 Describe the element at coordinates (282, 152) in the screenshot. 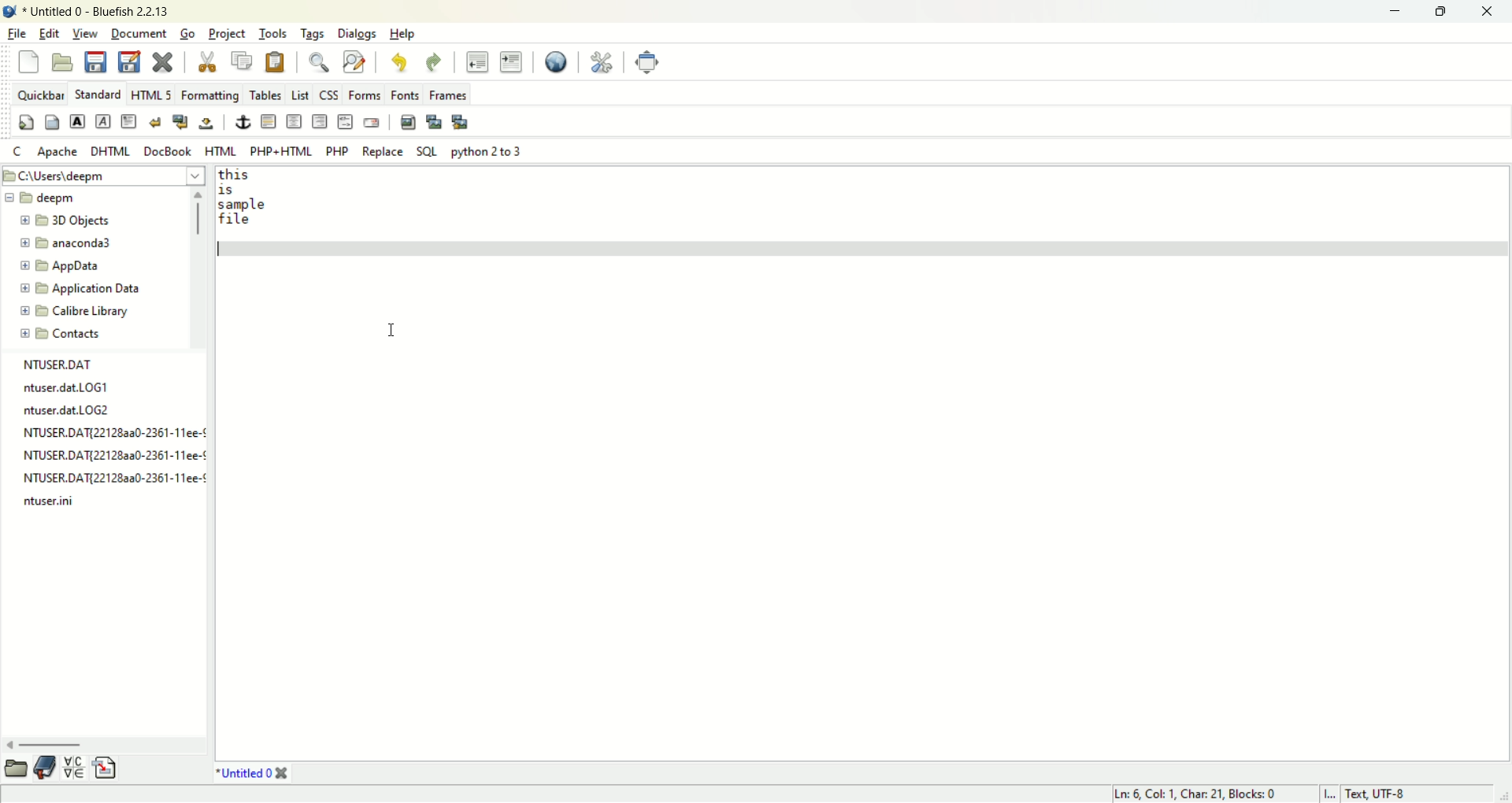

I see `PHP+HTML` at that location.